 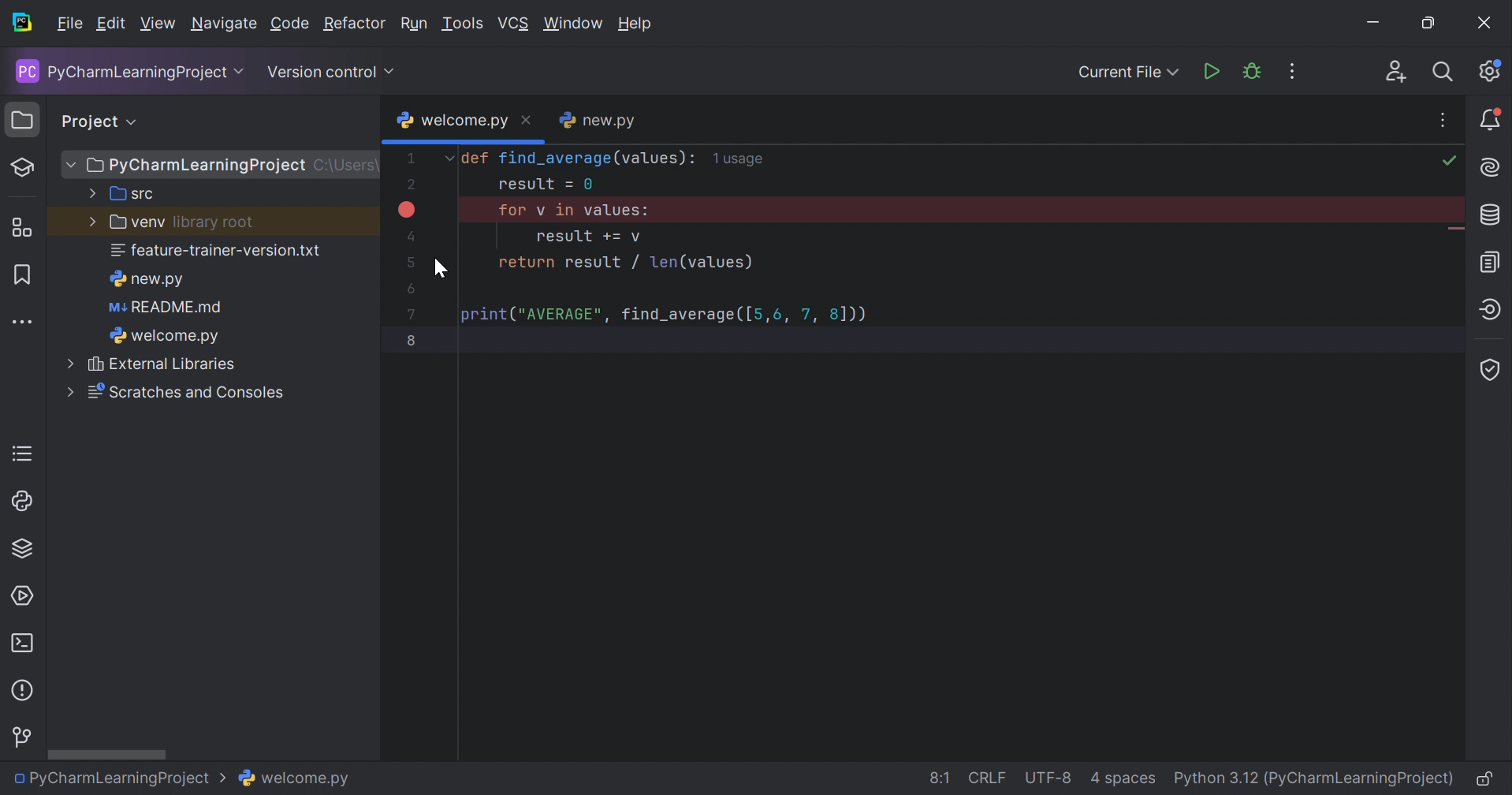 What do you see at coordinates (527, 121) in the screenshot?
I see `Close` at bounding box center [527, 121].